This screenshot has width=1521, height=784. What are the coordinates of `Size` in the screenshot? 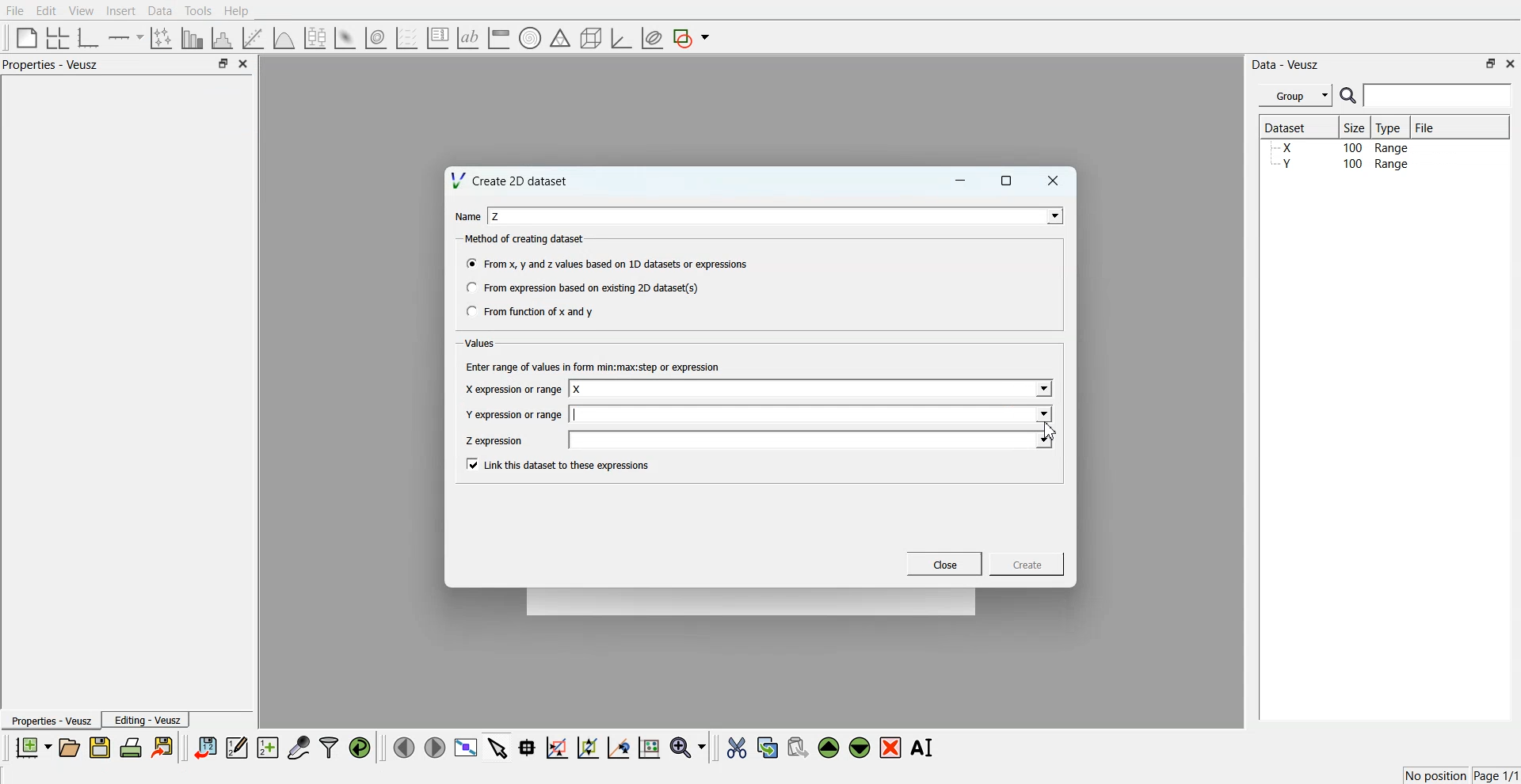 It's located at (1355, 127).